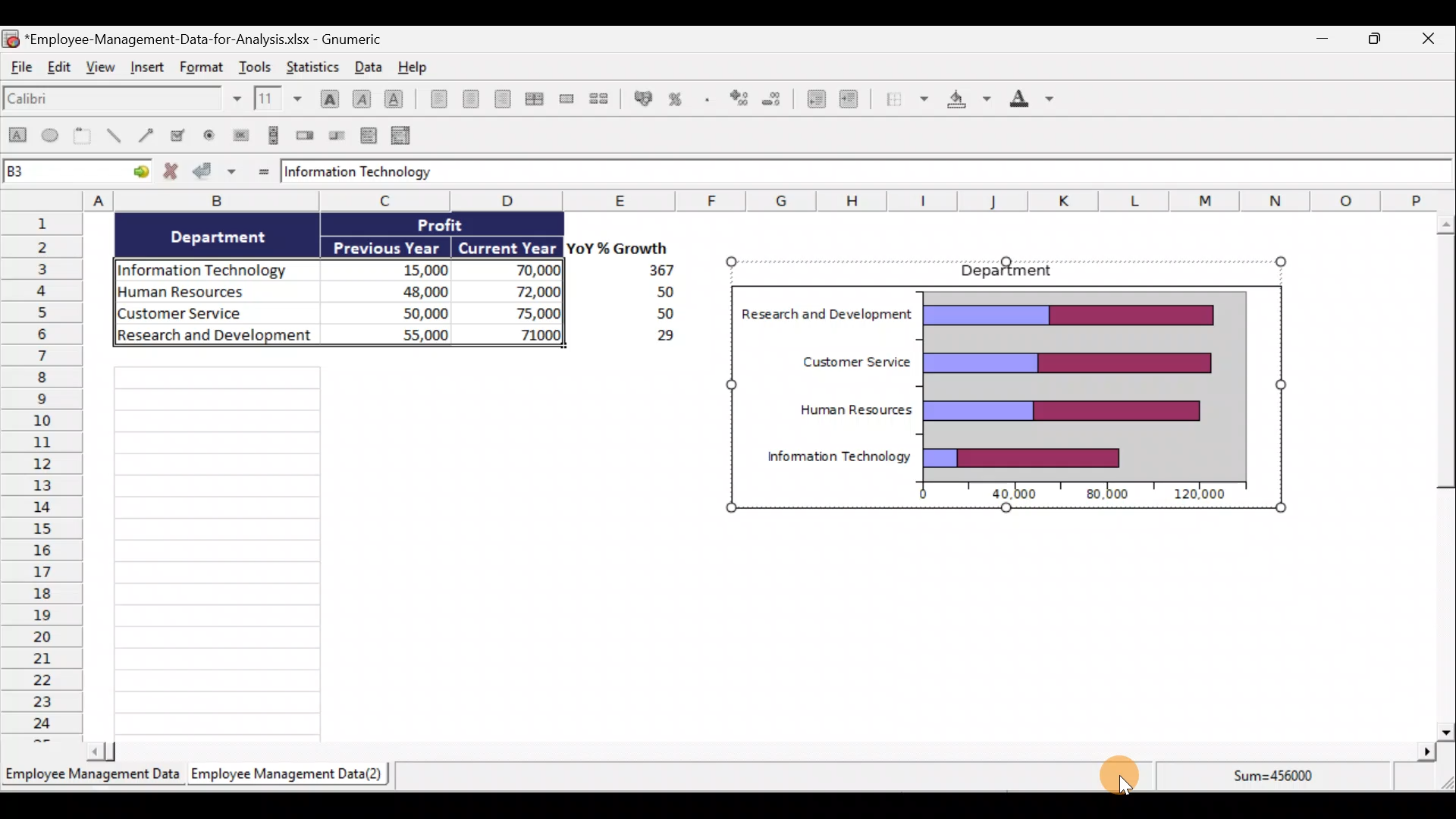 The width and height of the screenshot is (1456, 819). Describe the element at coordinates (121, 102) in the screenshot. I see `Font name Calibri` at that location.